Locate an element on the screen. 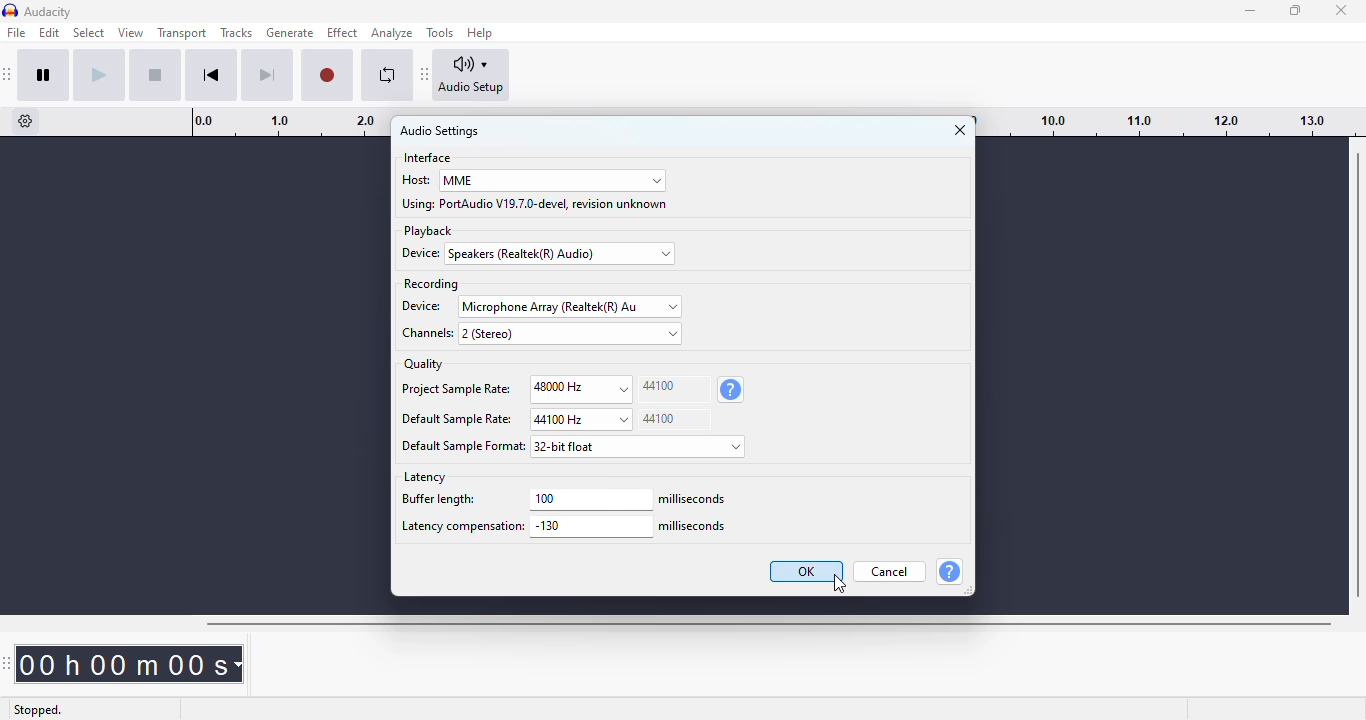 This screenshot has width=1366, height=720. close is located at coordinates (1342, 10).